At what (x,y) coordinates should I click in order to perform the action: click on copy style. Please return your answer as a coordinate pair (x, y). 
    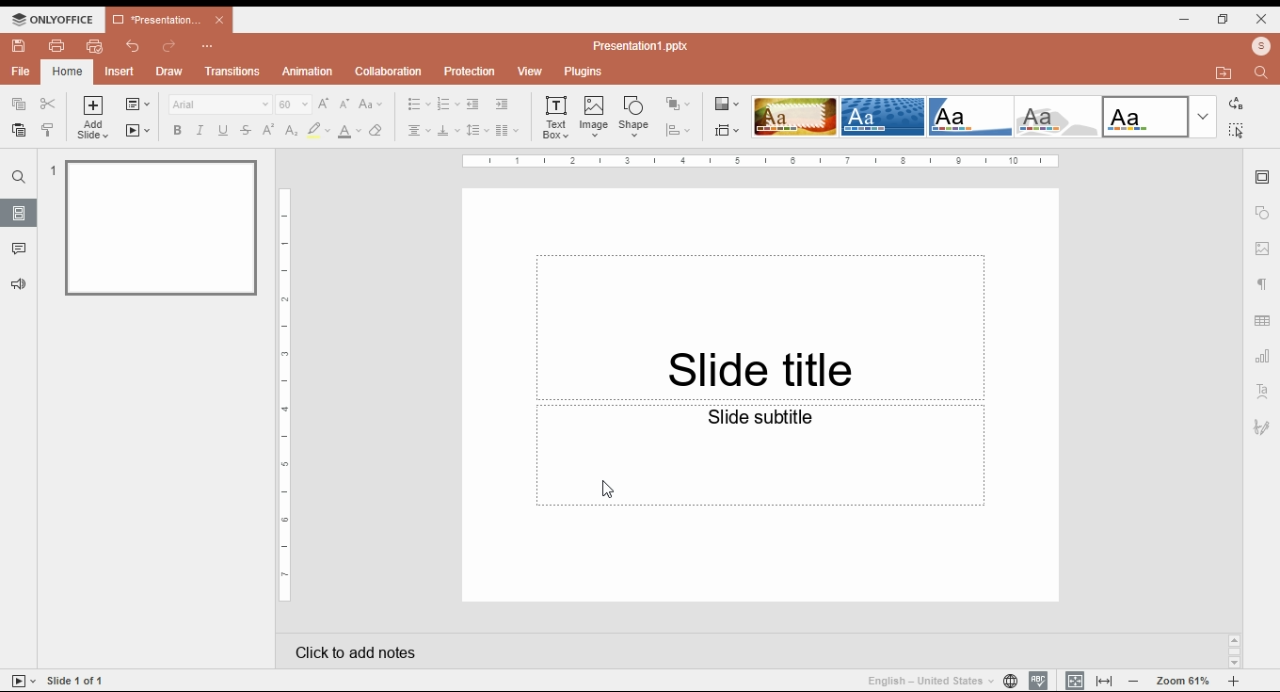
    Looking at the image, I should click on (50, 129).